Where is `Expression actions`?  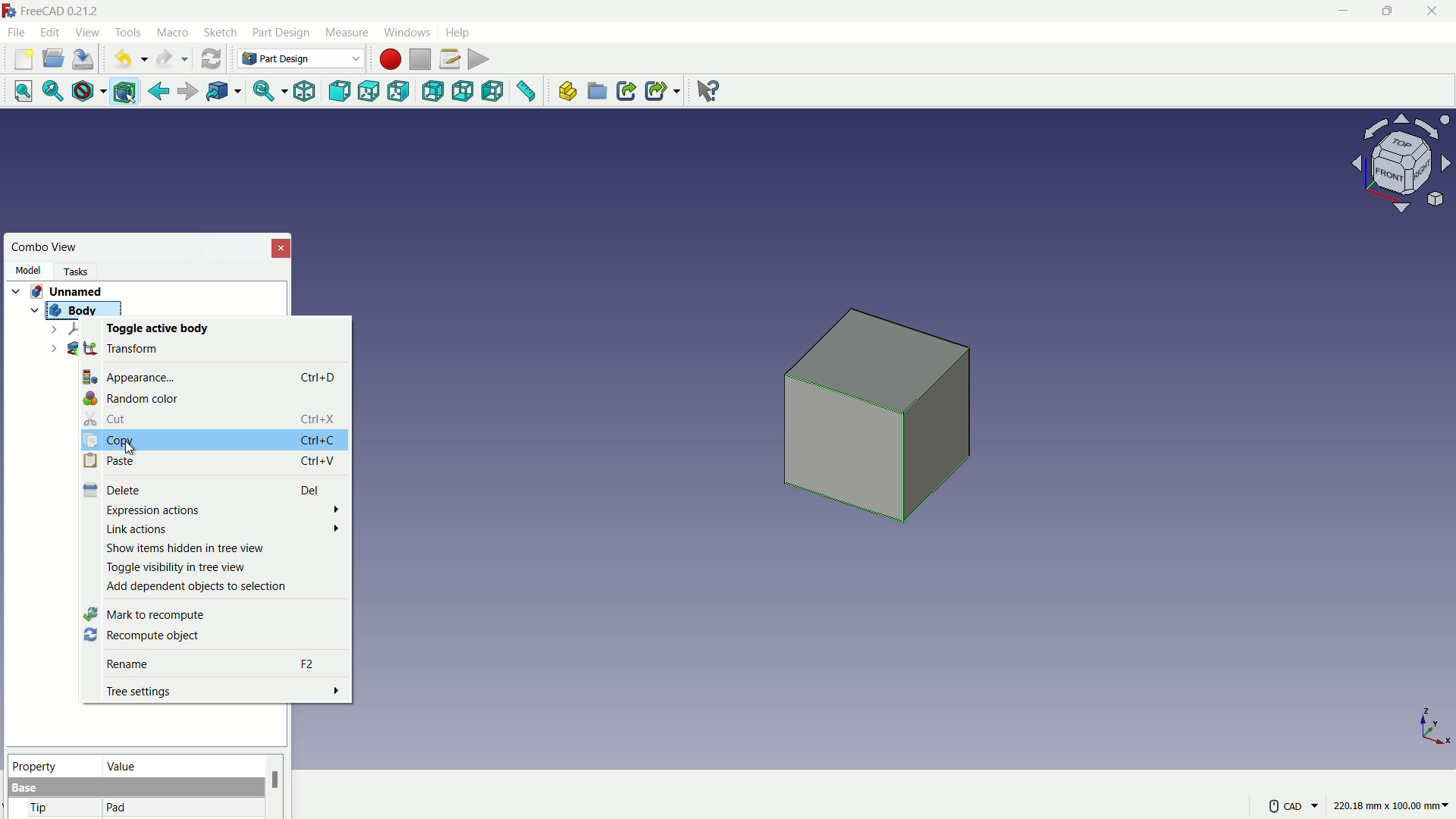
Expression actions is located at coordinates (224, 510).